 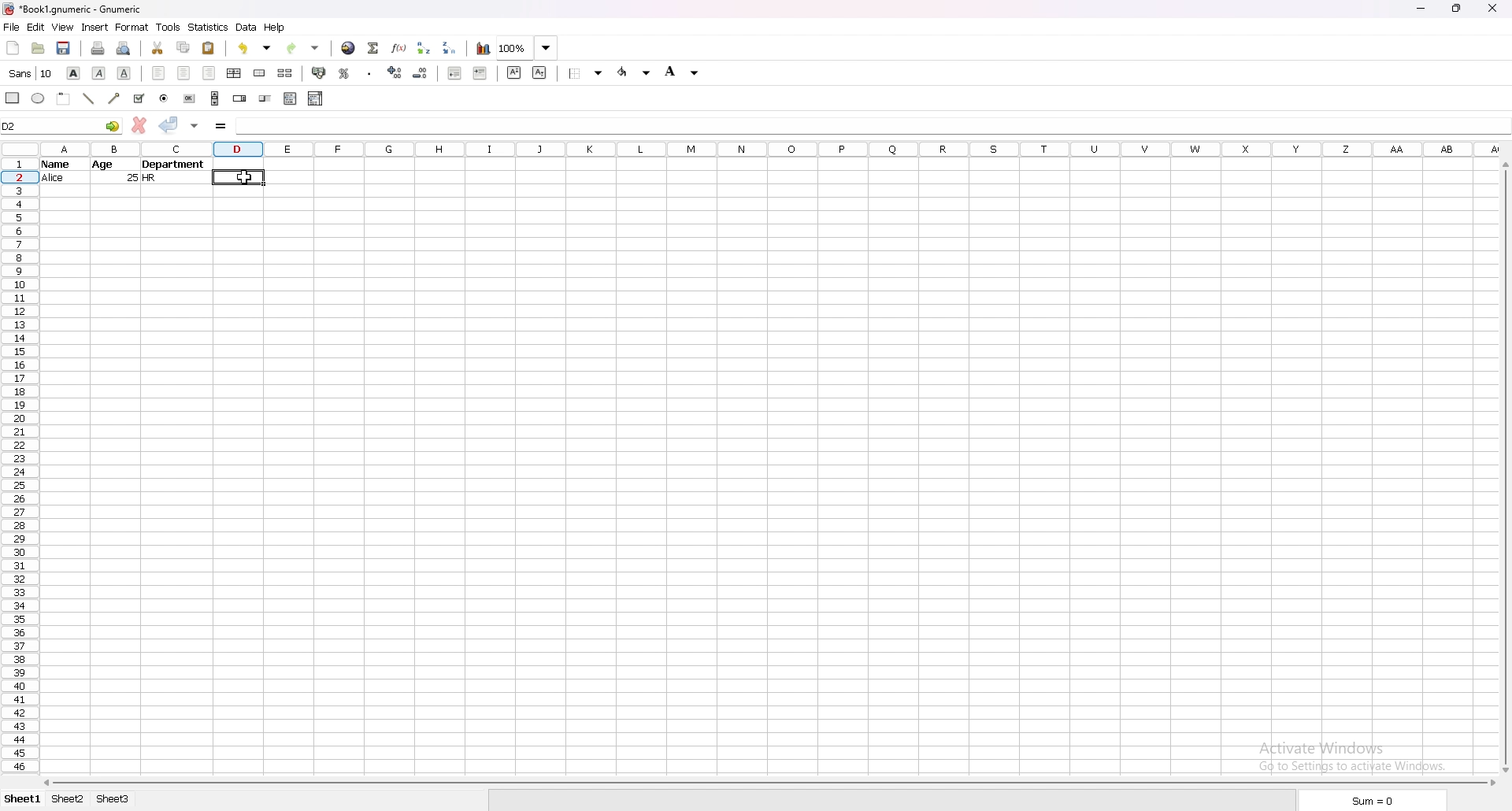 I want to click on edit, so click(x=36, y=27).